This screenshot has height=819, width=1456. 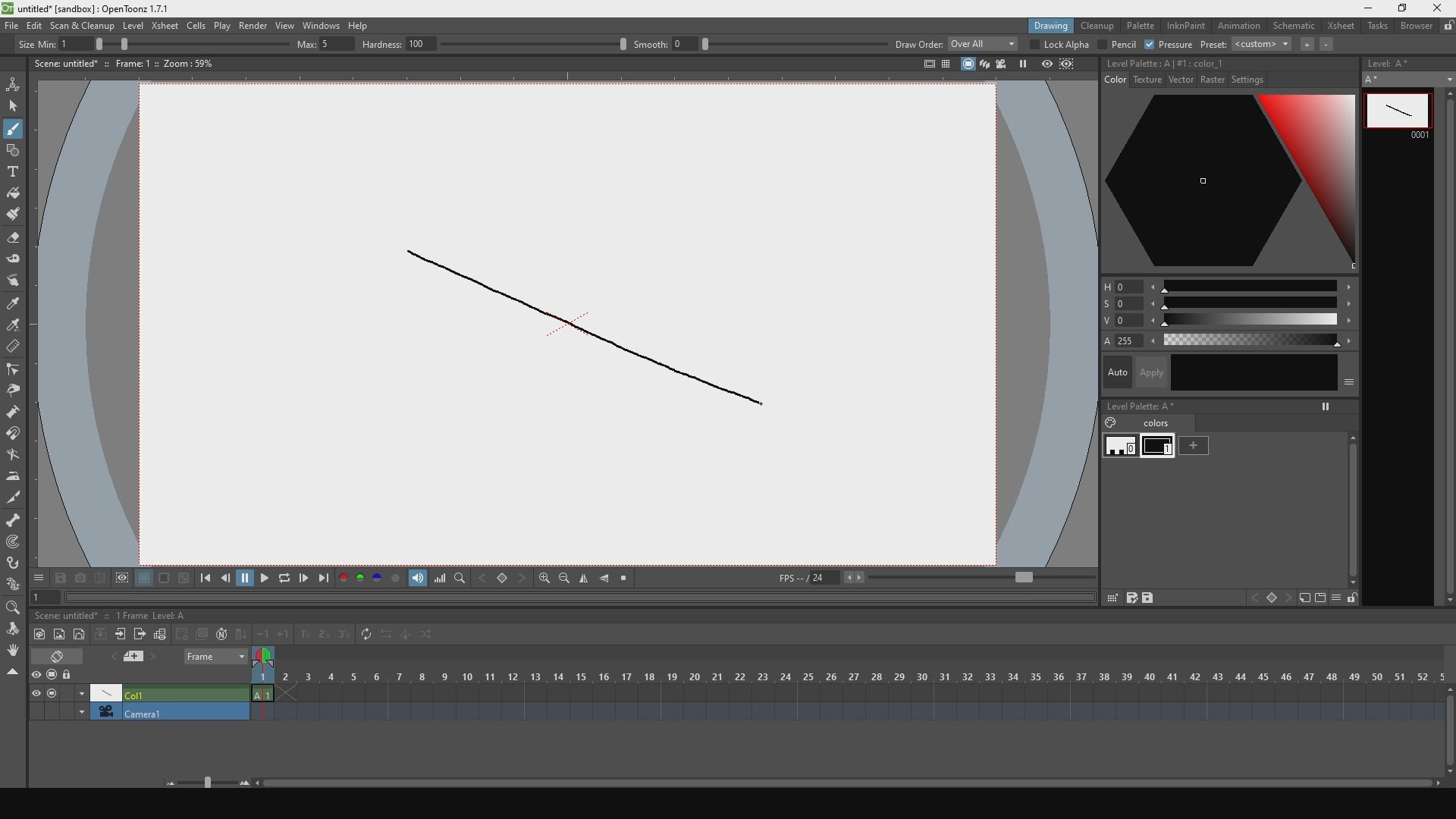 What do you see at coordinates (1024, 65) in the screenshot?
I see `pause` at bounding box center [1024, 65].